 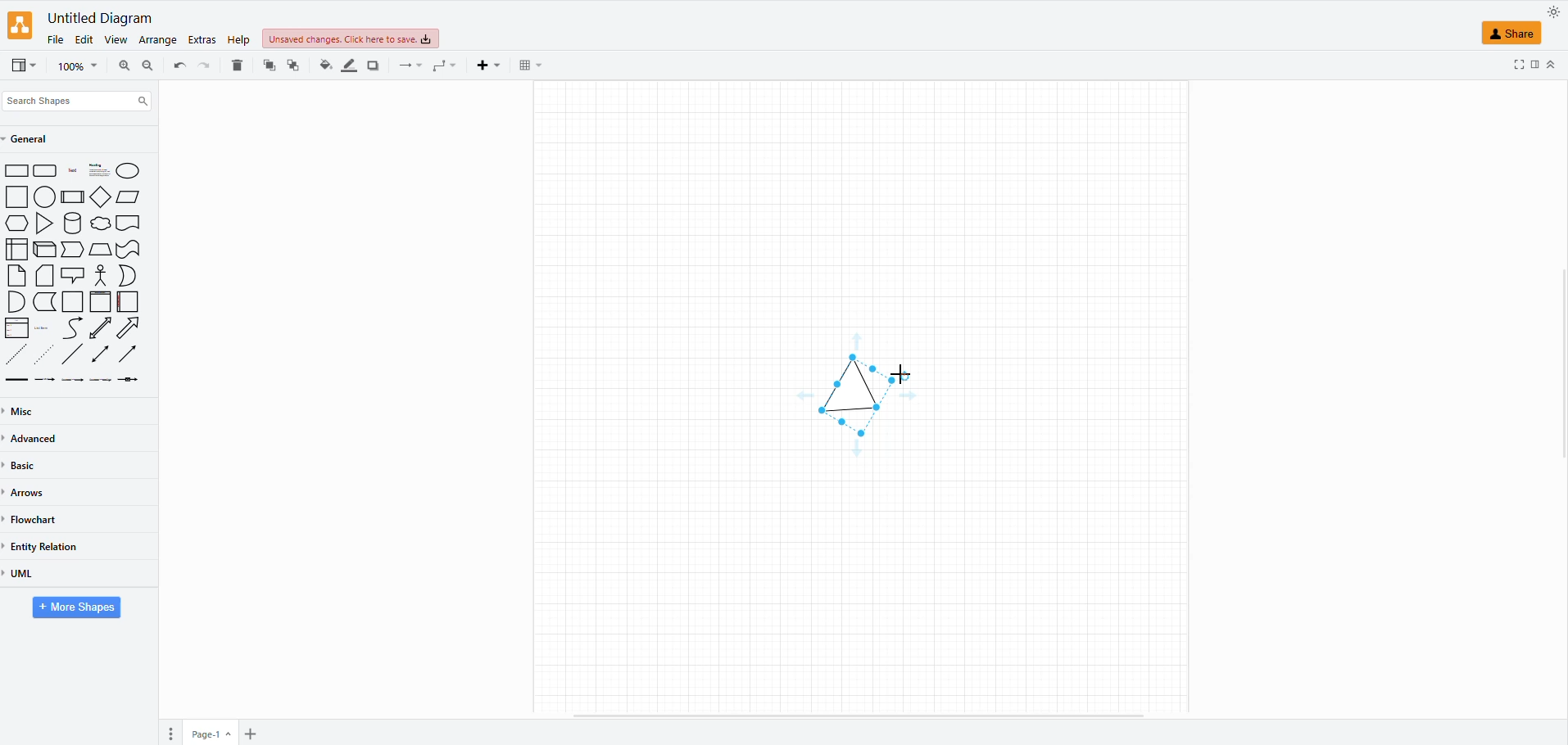 I want to click on Rectangle, so click(x=16, y=196).